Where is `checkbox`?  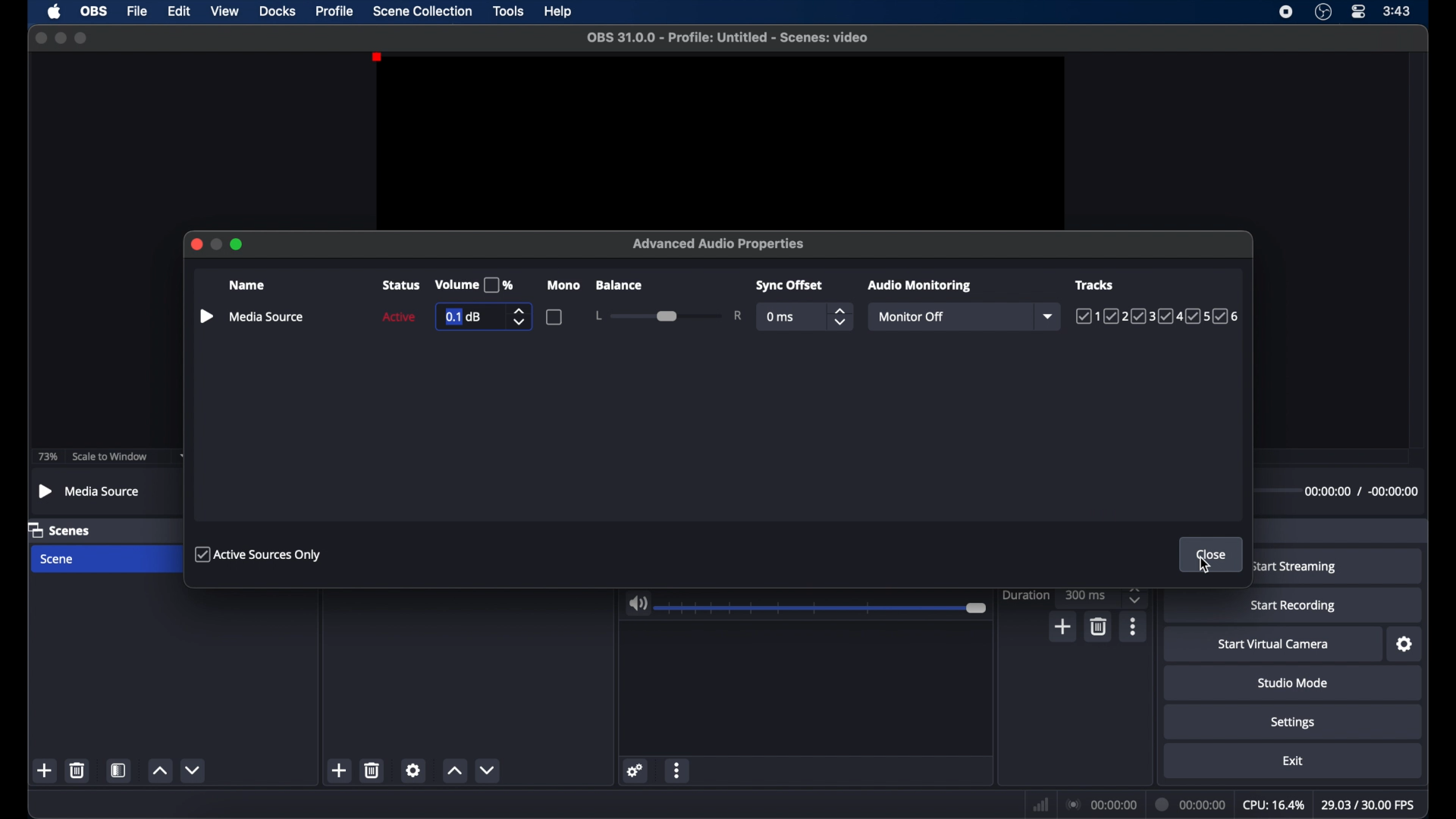 checkbox is located at coordinates (555, 317).